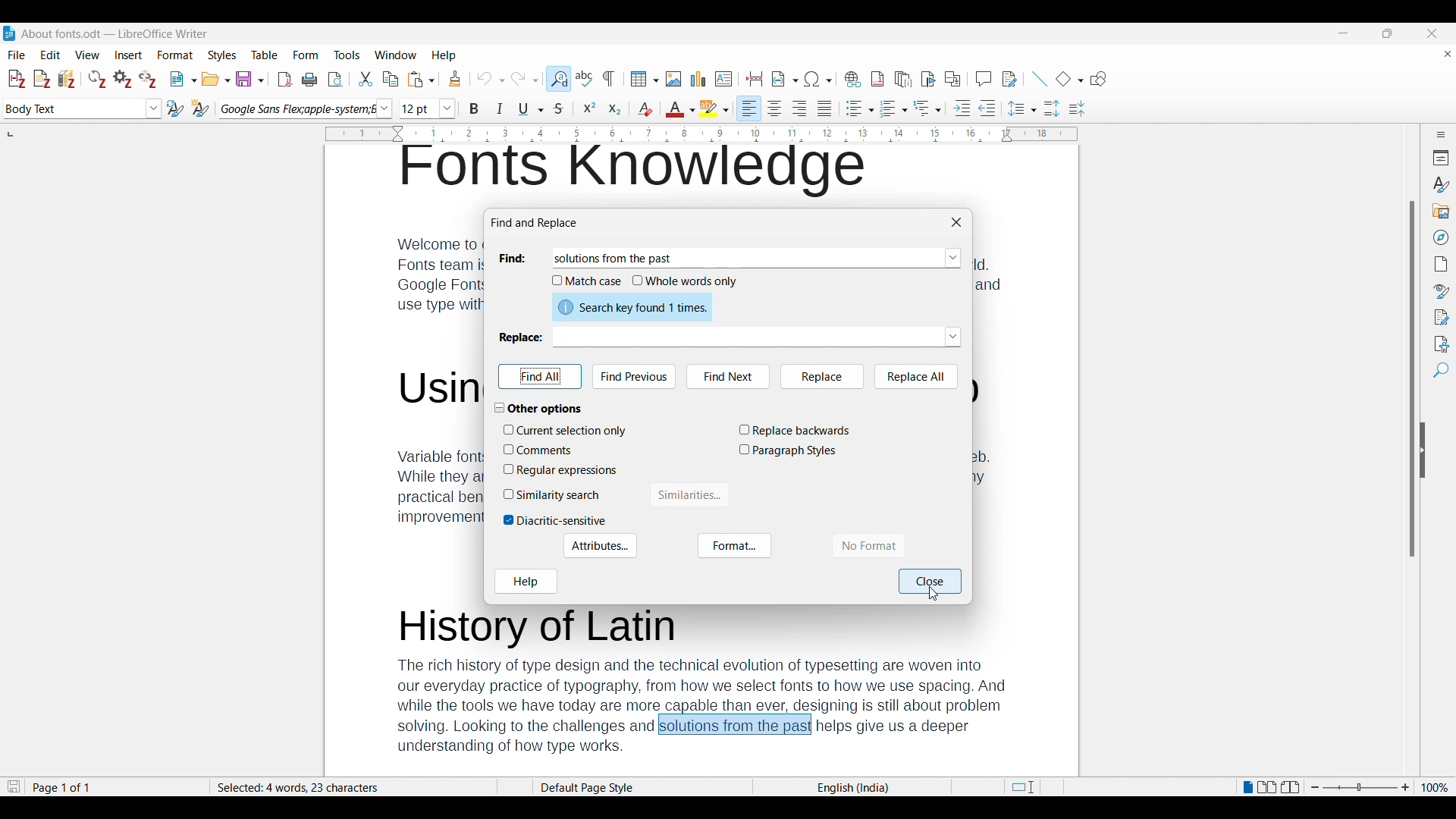  I want to click on Highlight color options and current selection, so click(714, 108).